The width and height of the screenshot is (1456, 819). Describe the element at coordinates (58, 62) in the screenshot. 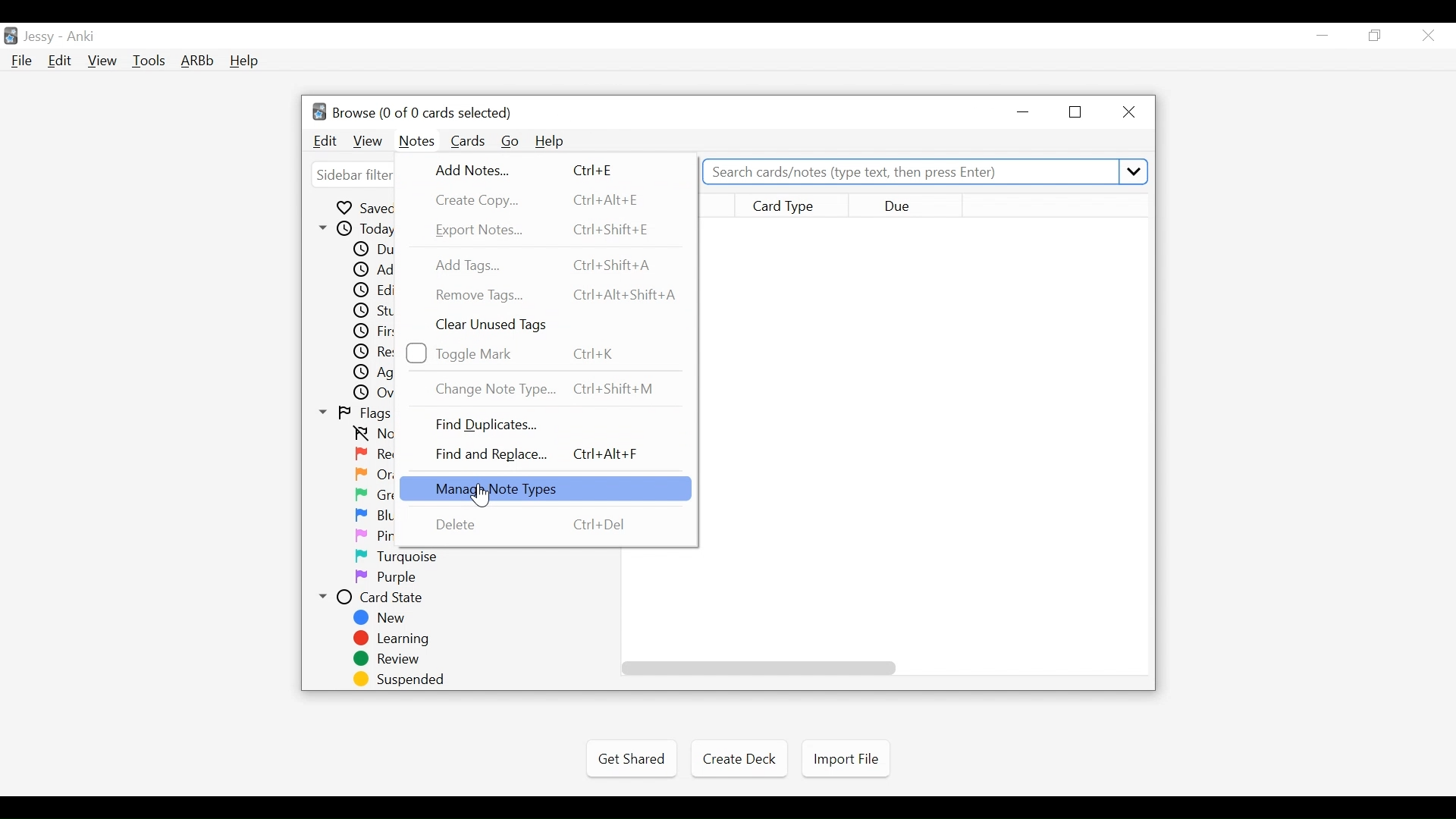

I see `Edit` at that location.